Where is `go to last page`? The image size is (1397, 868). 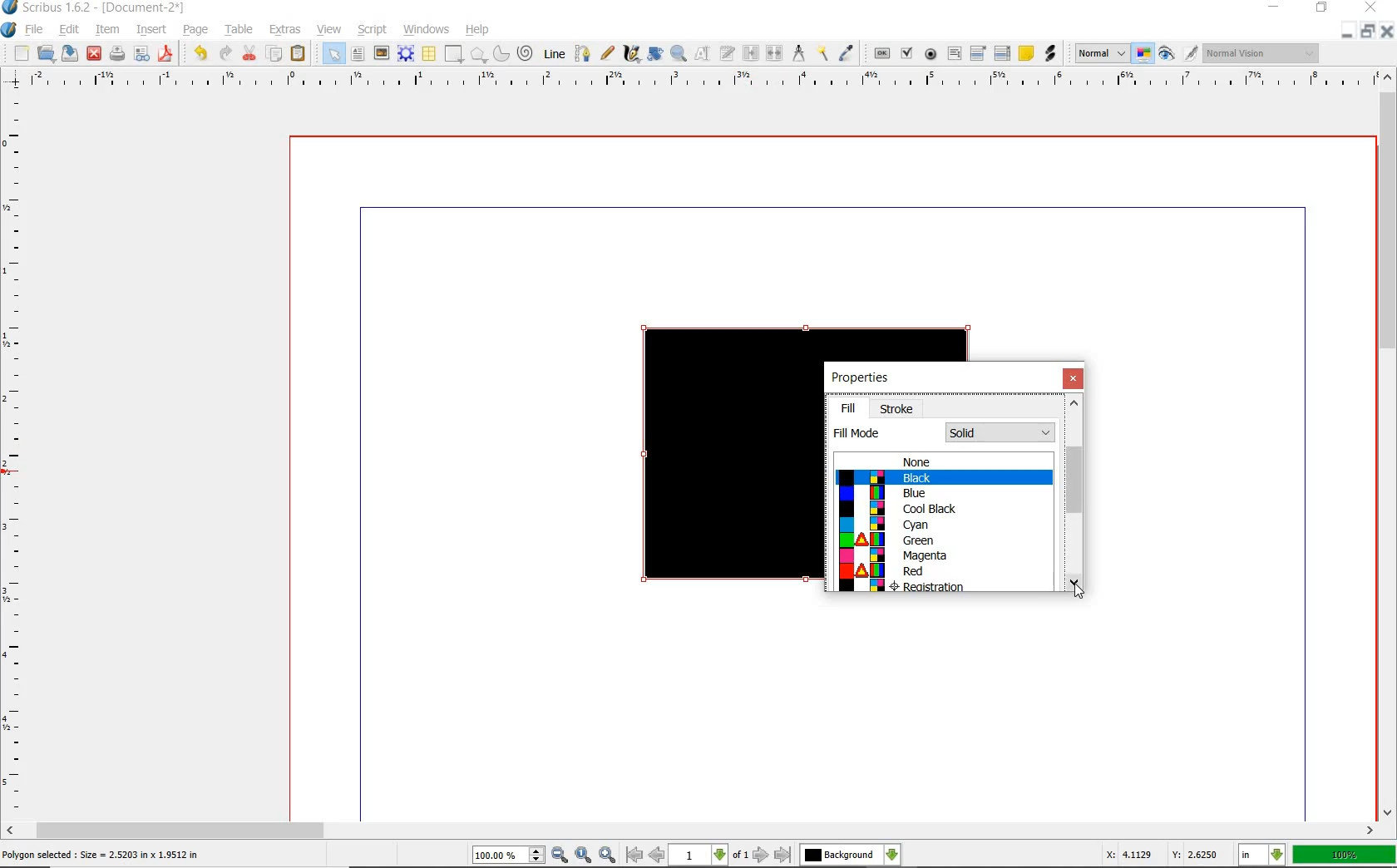
go to last page is located at coordinates (783, 854).